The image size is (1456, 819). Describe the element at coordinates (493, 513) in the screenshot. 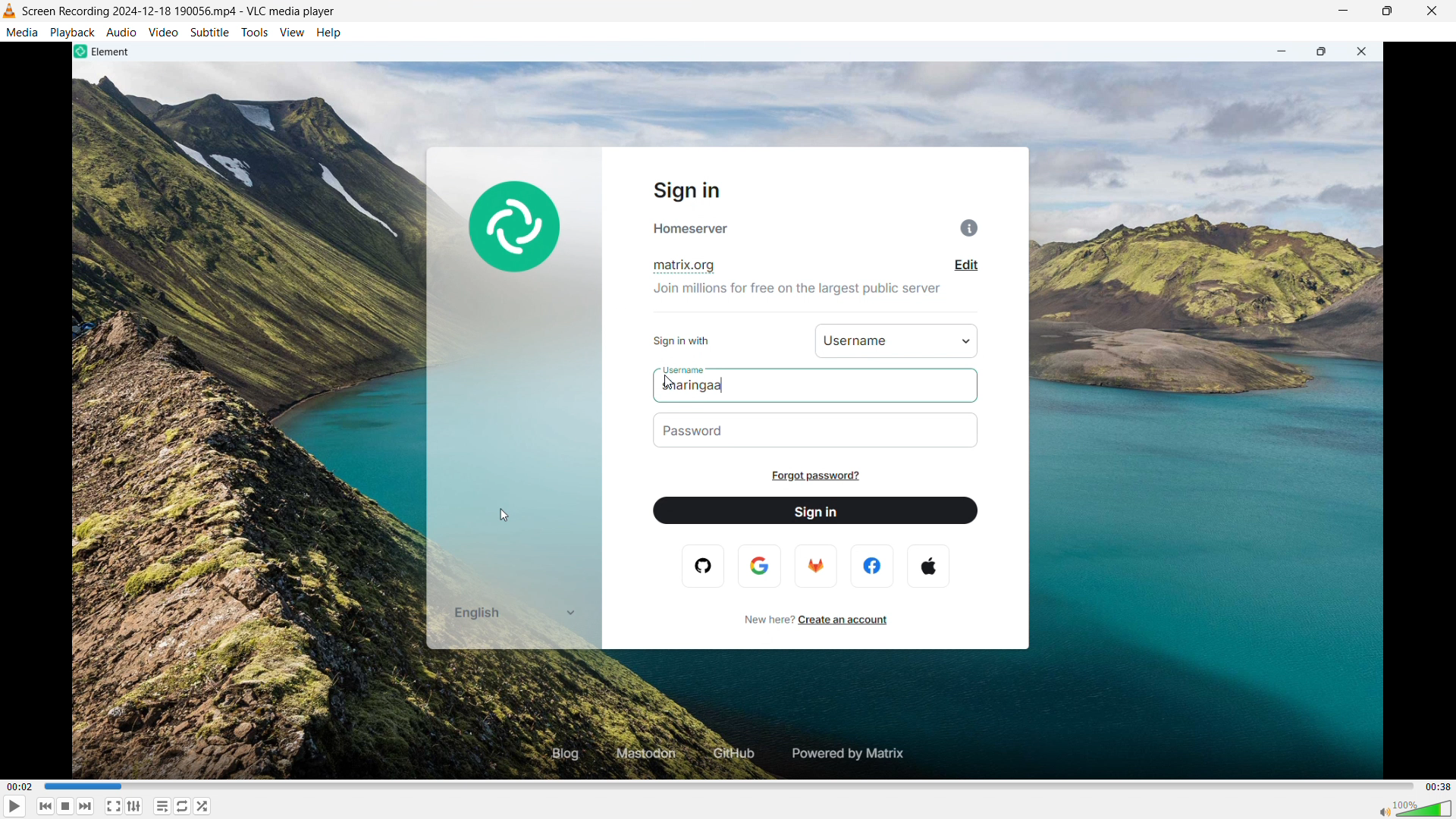

I see `cursor movement` at that location.